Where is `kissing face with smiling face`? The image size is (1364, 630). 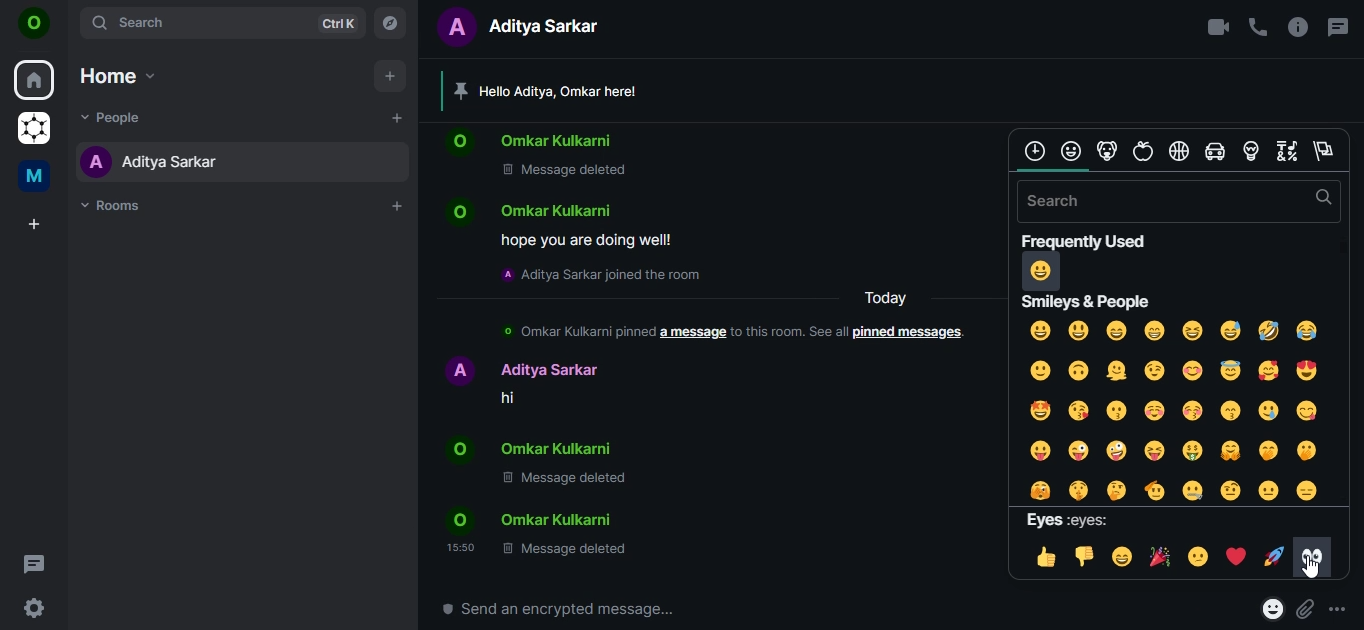 kissing face with smiling face is located at coordinates (1229, 410).